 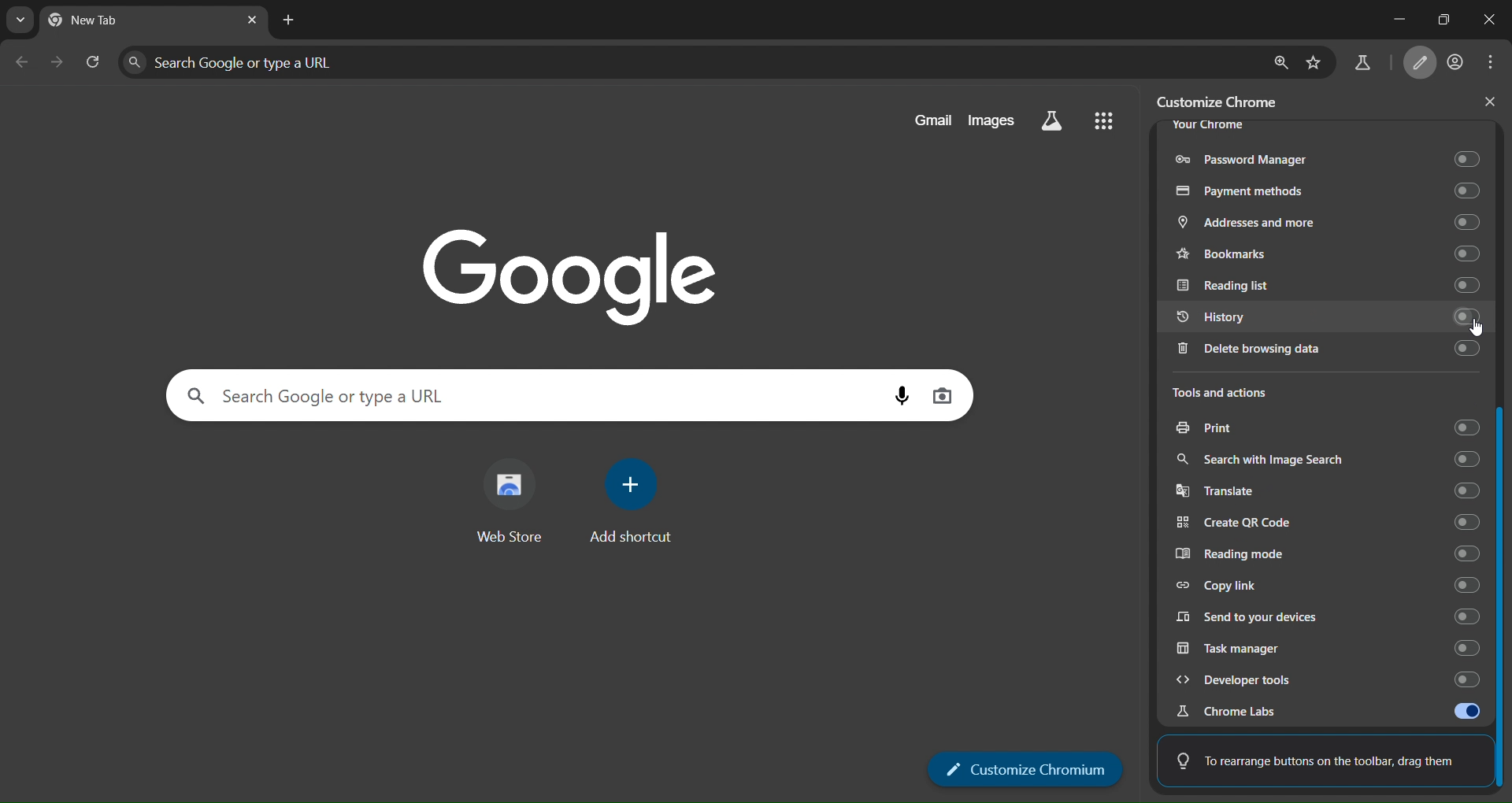 I want to click on To rearrange buttons on the toolbar, drag them, so click(x=1317, y=757).